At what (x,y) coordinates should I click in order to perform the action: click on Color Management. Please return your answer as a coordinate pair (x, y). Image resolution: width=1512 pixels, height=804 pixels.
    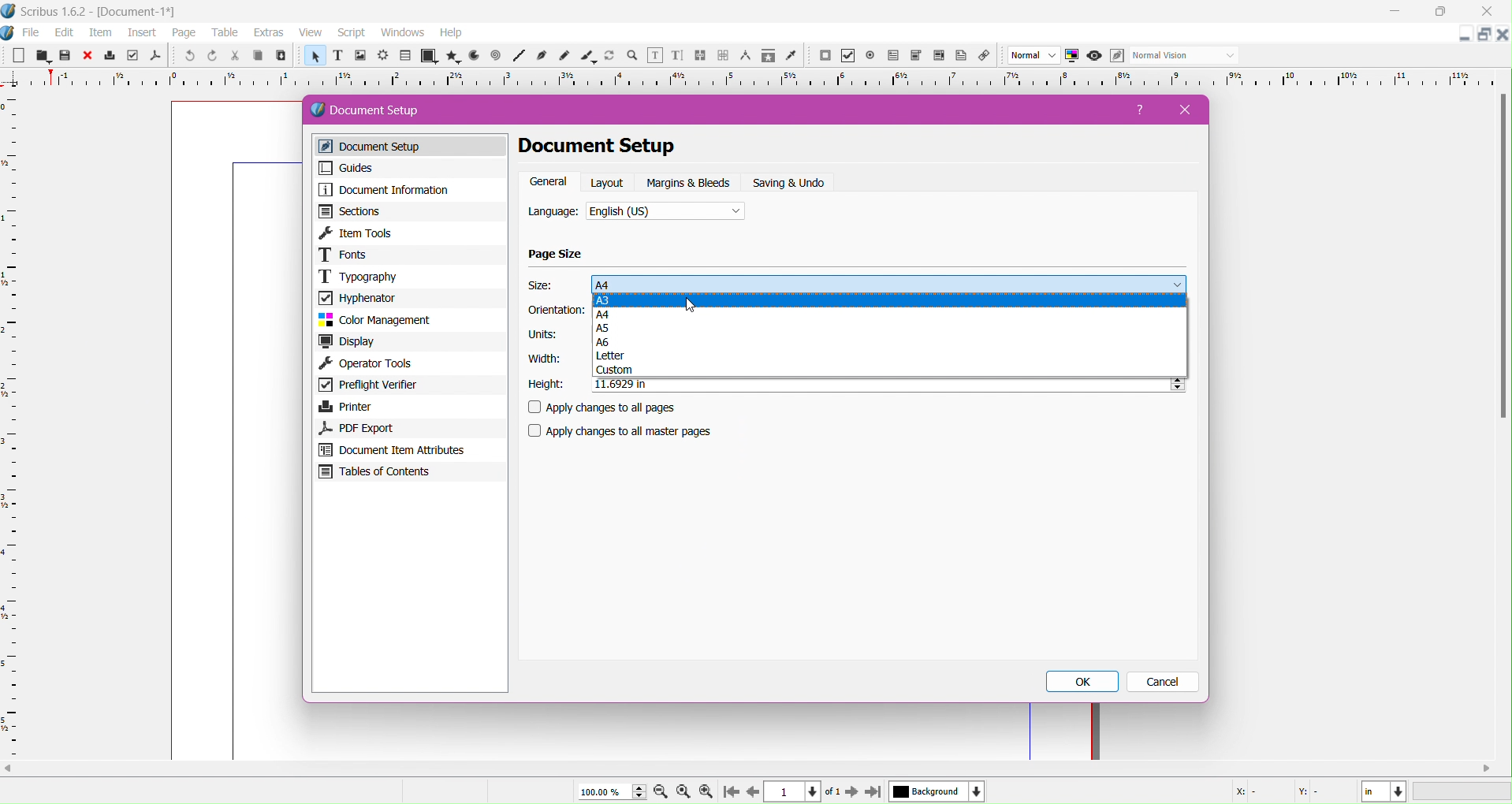
    Looking at the image, I should click on (409, 320).